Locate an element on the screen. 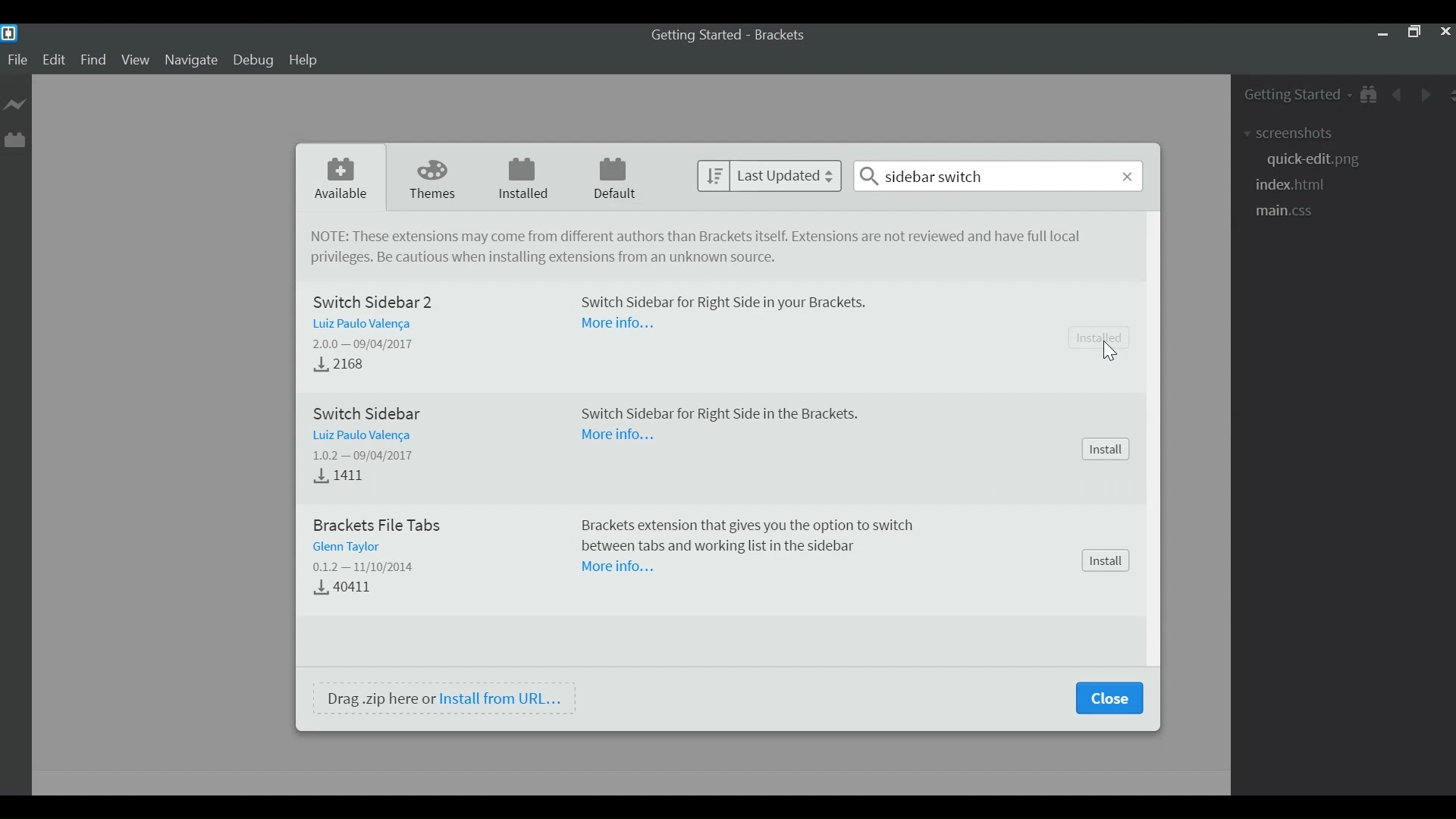 This screenshot has width=1456, height=819. Author is located at coordinates (358, 548).